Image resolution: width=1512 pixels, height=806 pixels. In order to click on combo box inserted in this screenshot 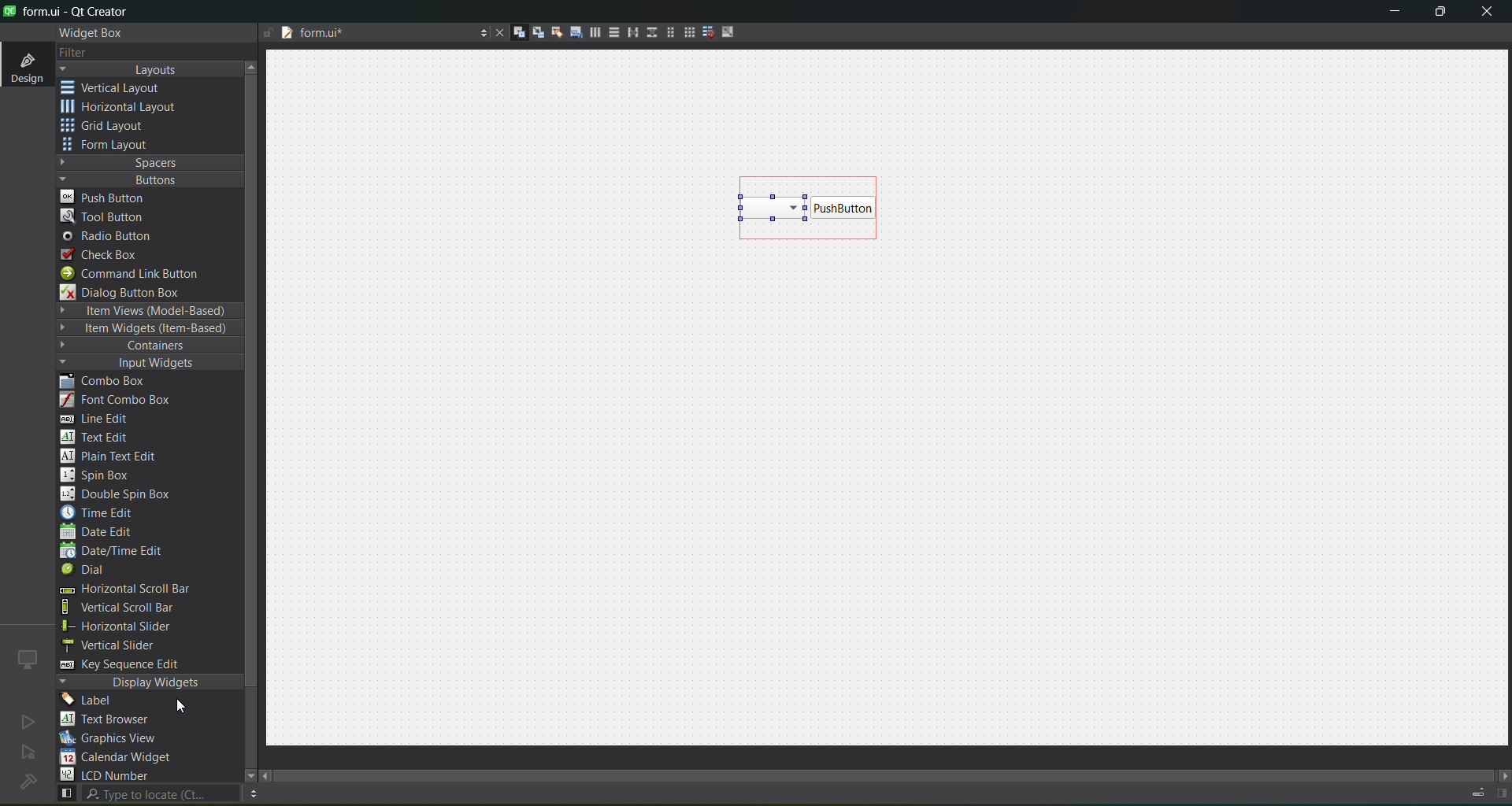, I will do `click(810, 208)`.